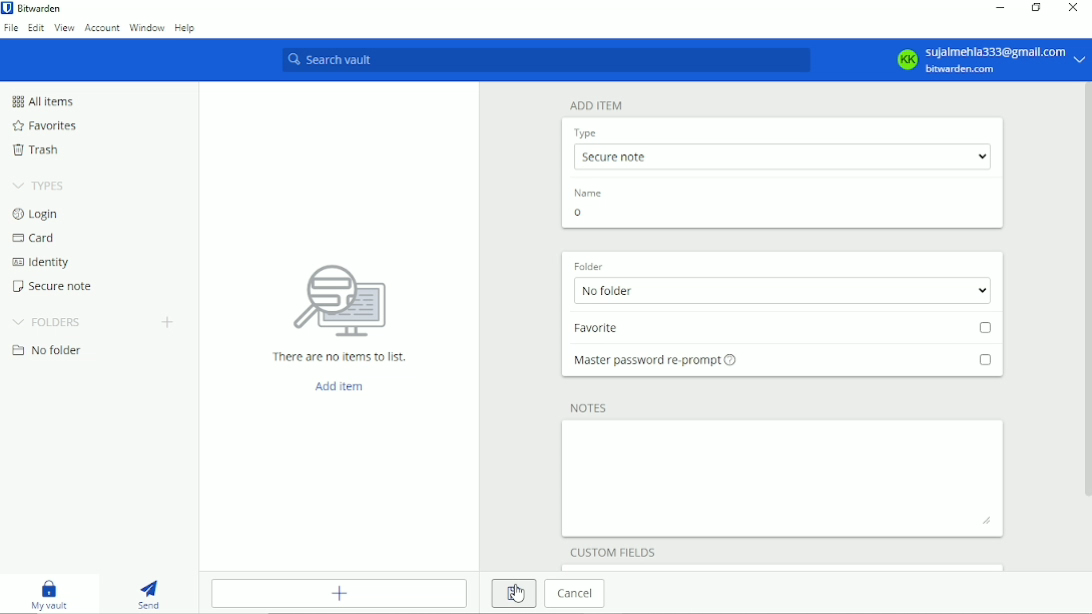  I want to click on Folder, so click(589, 264).